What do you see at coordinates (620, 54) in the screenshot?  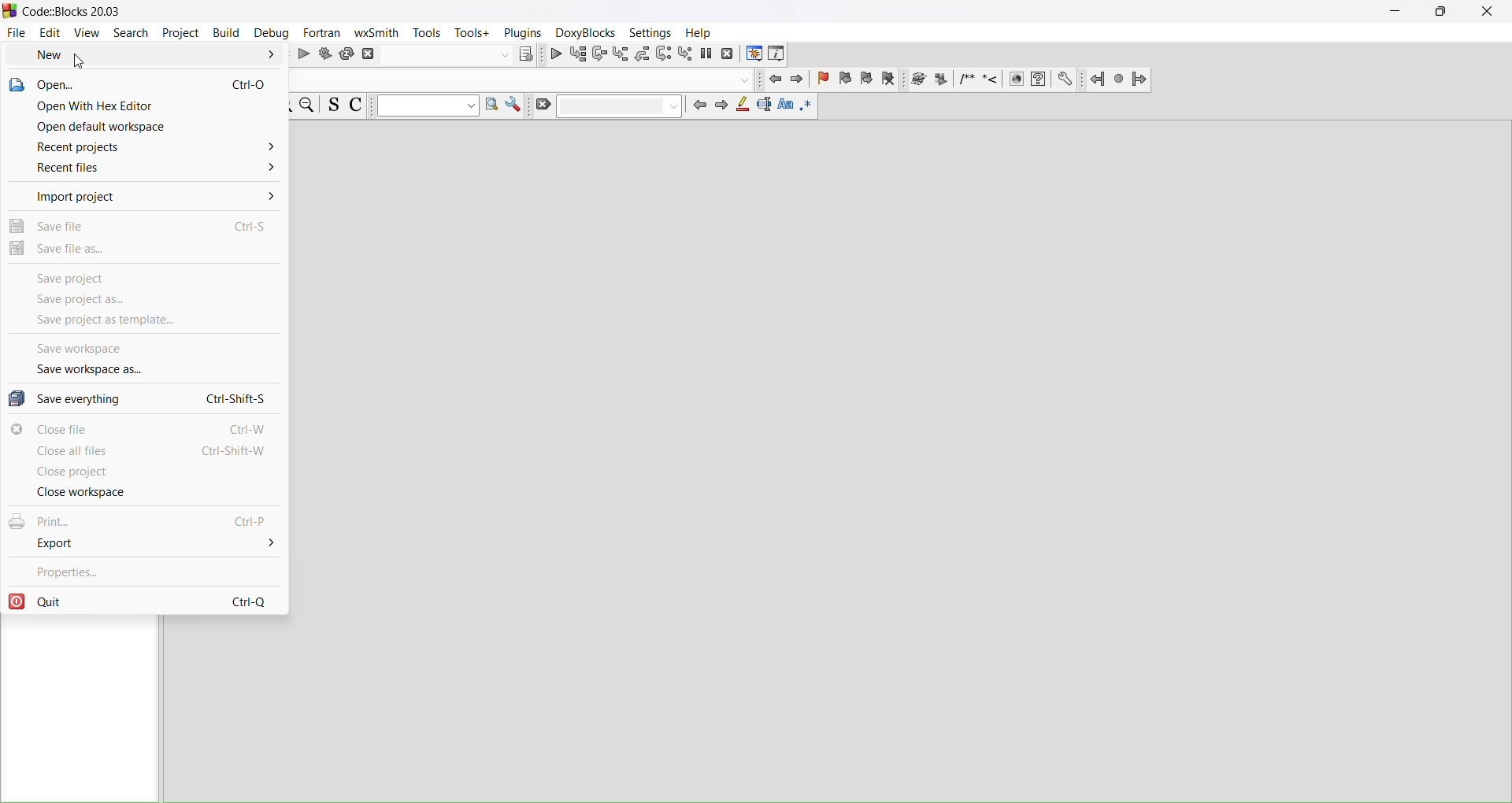 I see `step into` at bounding box center [620, 54].